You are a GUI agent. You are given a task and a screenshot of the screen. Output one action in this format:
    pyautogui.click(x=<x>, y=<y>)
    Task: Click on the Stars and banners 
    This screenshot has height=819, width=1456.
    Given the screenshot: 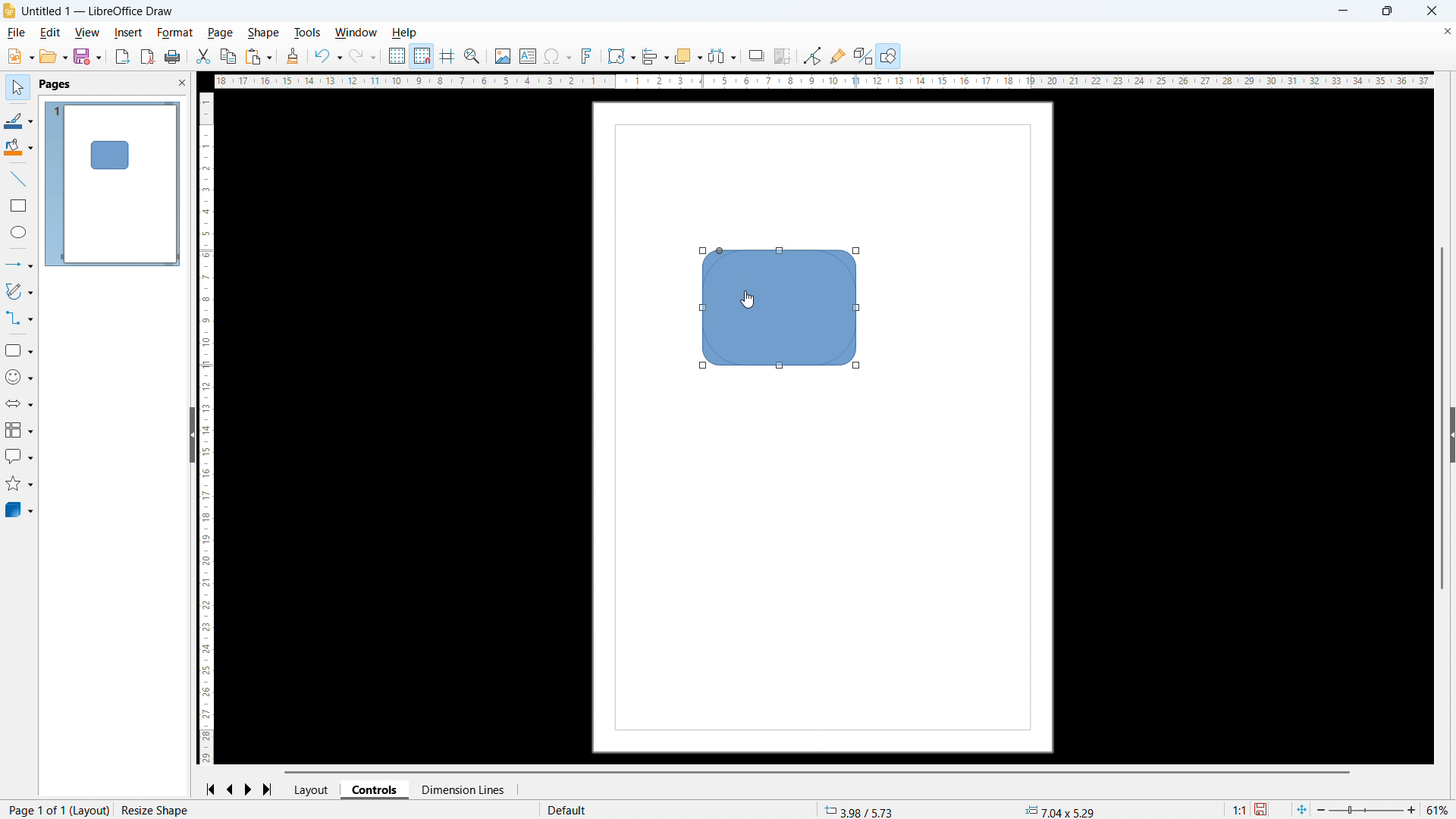 What is the action you would take?
    pyautogui.click(x=20, y=484)
    